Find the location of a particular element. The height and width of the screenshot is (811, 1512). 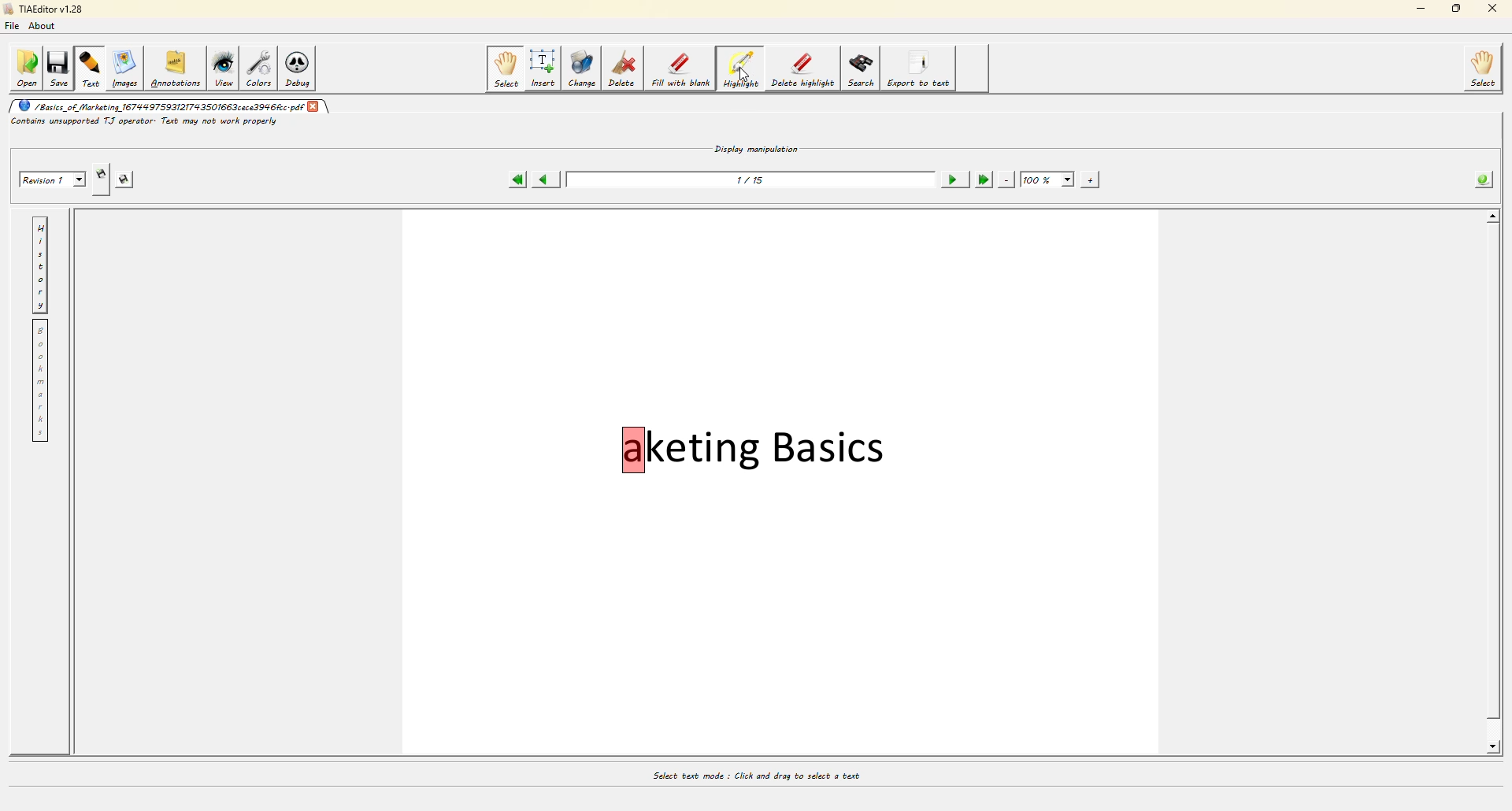

text is located at coordinates (91, 69).